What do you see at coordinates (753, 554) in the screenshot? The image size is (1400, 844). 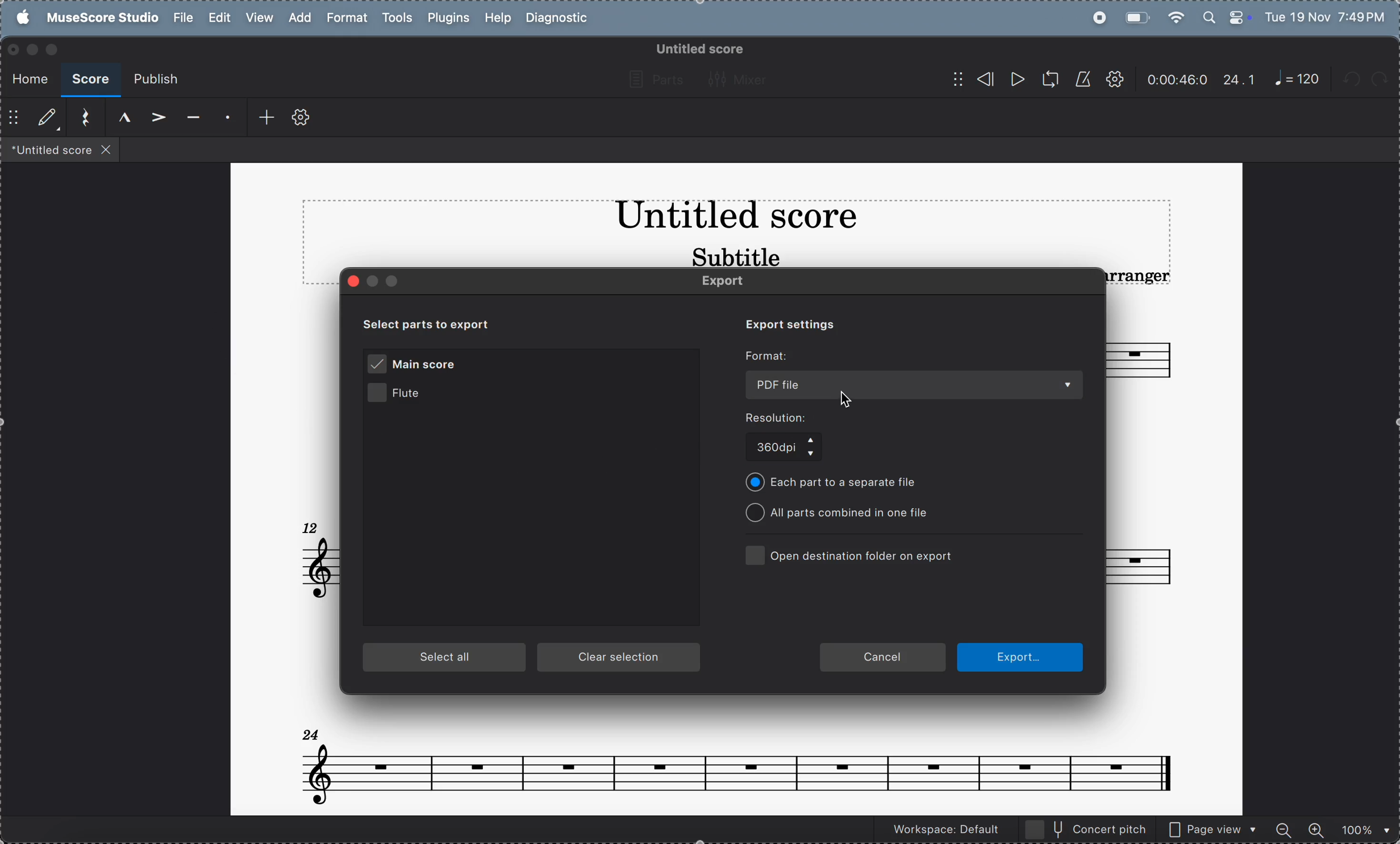 I see `checkbox` at bounding box center [753, 554].